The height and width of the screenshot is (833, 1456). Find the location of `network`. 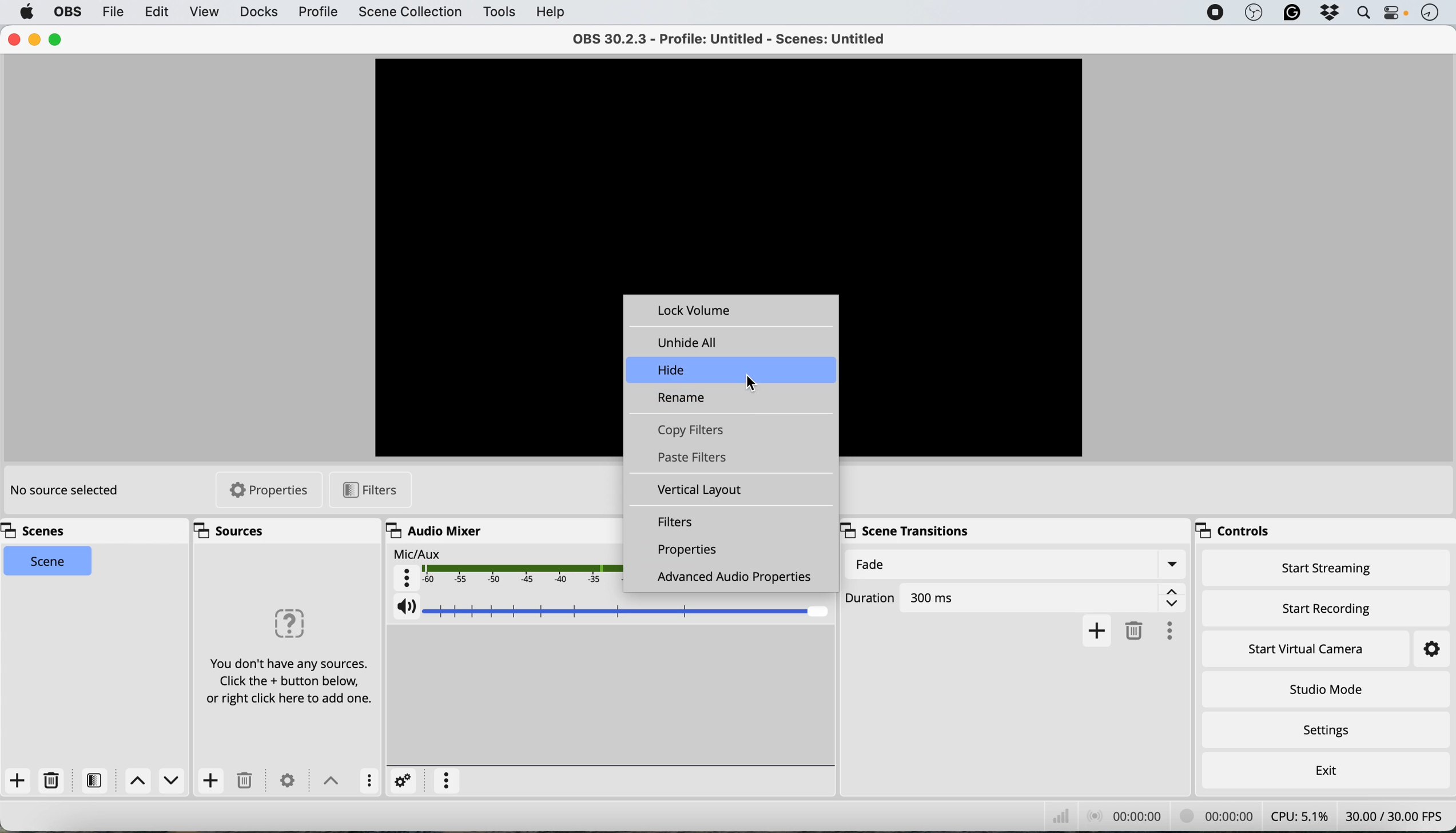

network is located at coordinates (1060, 816).